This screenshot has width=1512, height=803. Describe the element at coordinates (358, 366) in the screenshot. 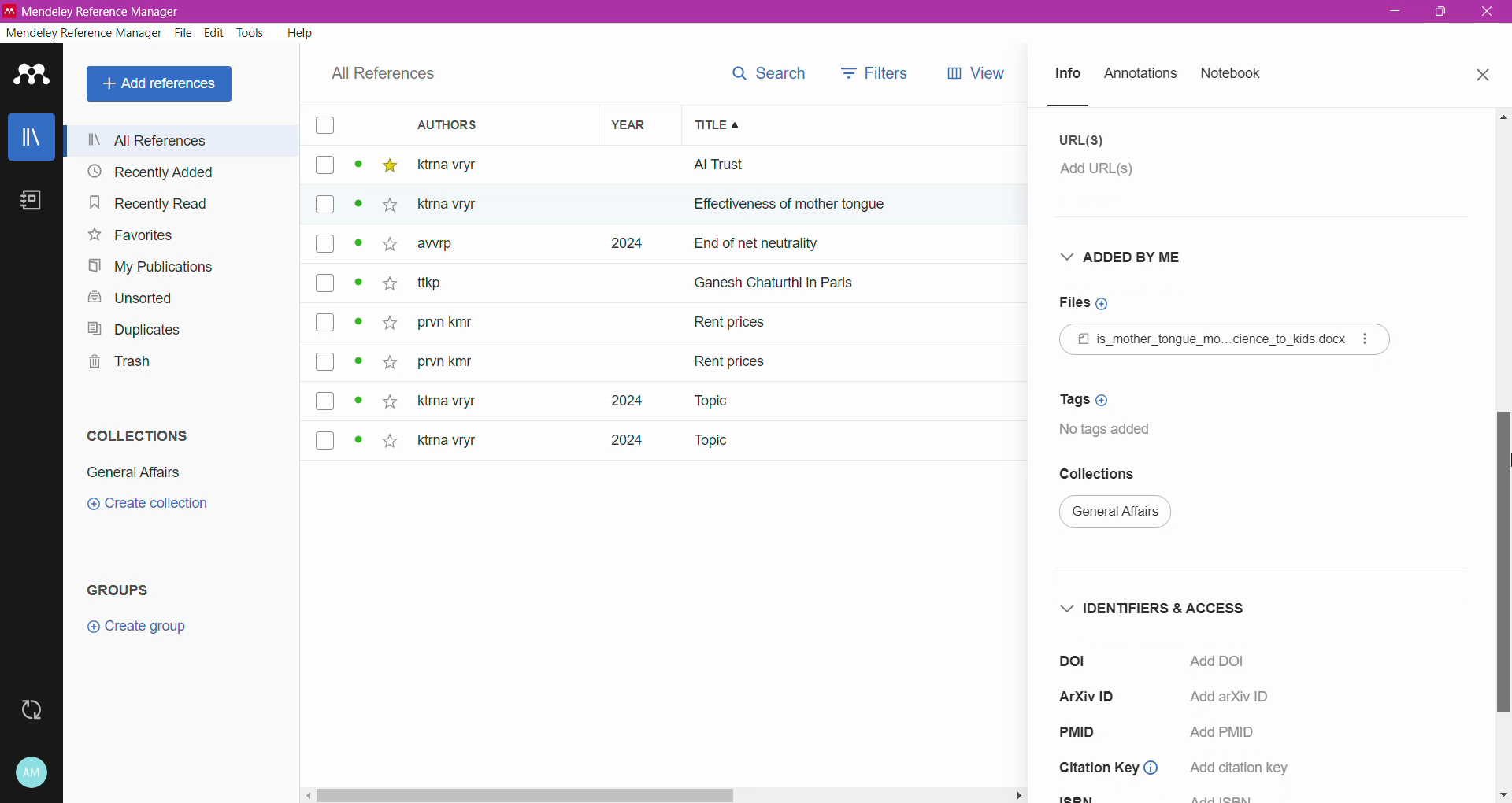

I see `dot ` at that location.